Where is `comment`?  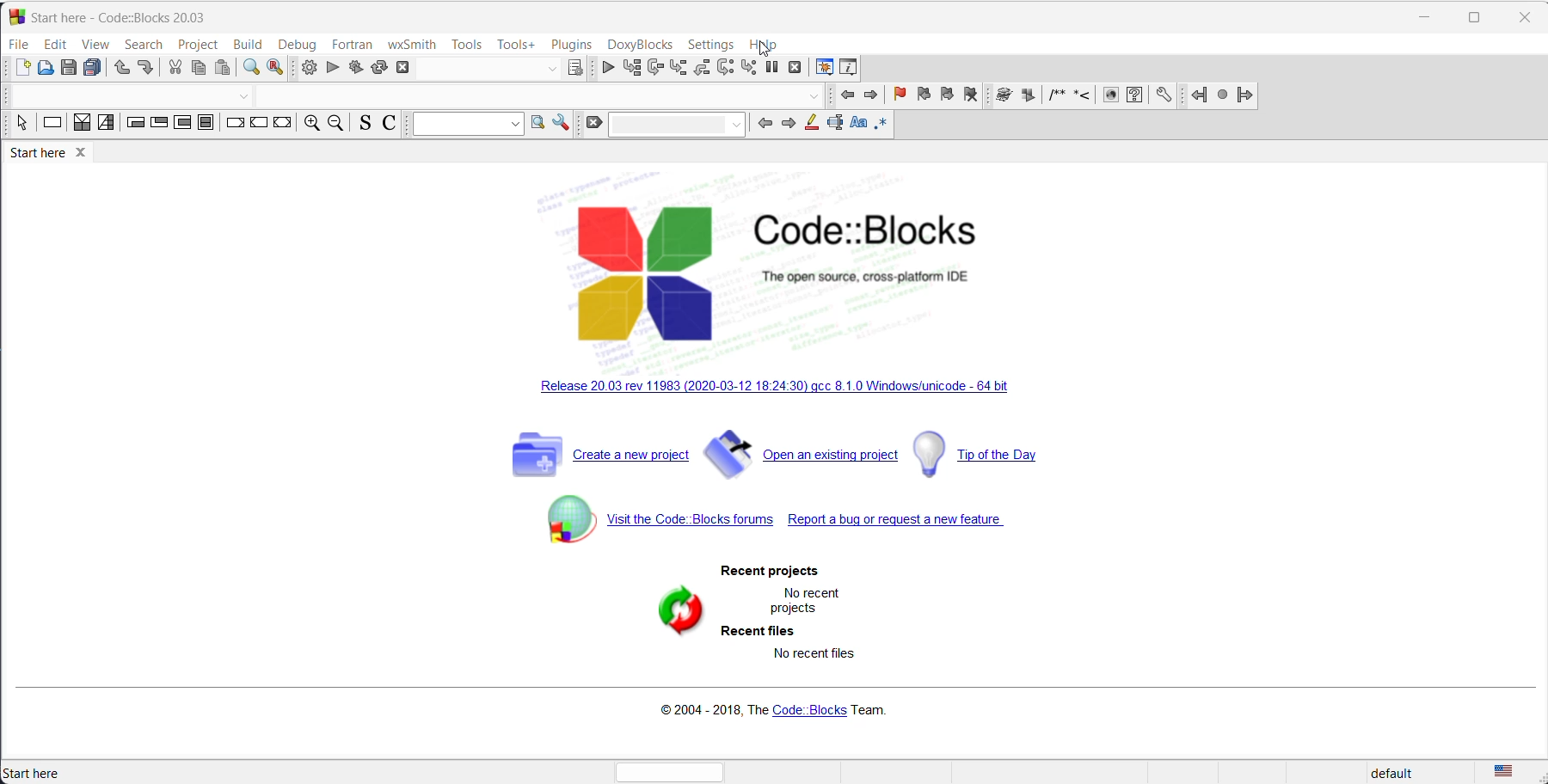 comment is located at coordinates (1084, 96).